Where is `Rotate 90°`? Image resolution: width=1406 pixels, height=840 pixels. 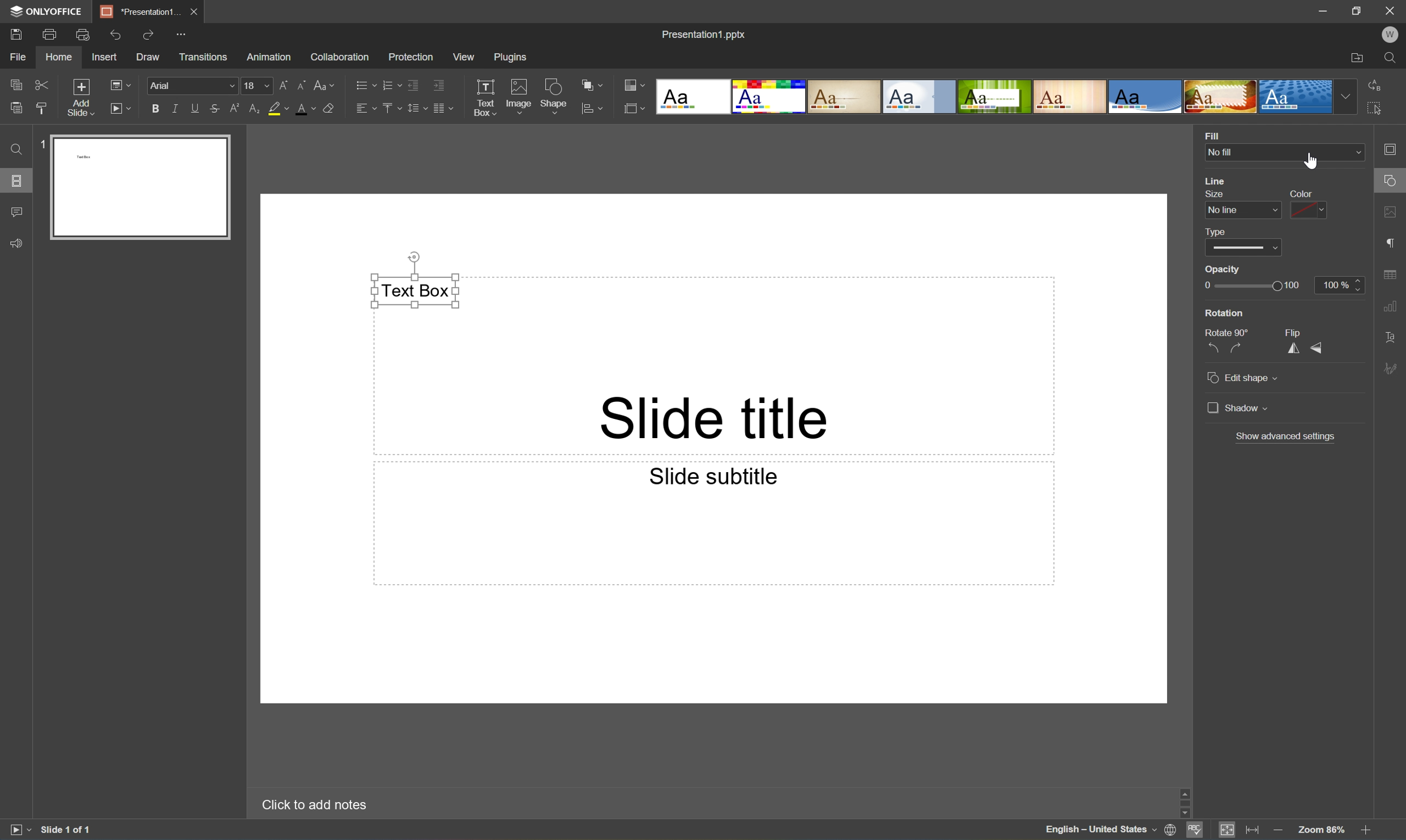
Rotate 90° is located at coordinates (1226, 331).